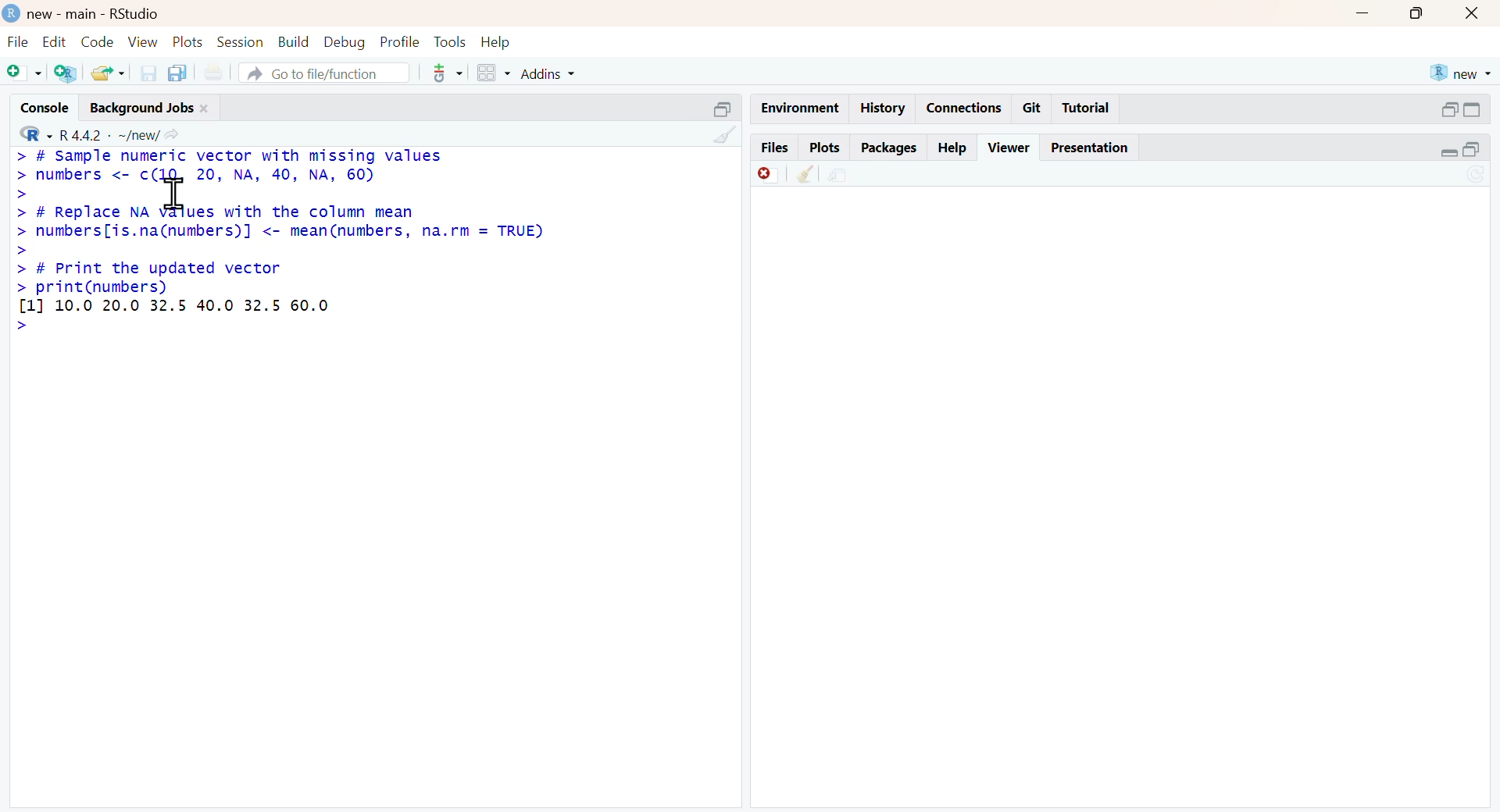  What do you see at coordinates (205, 109) in the screenshot?
I see `close` at bounding box center [205, 109].